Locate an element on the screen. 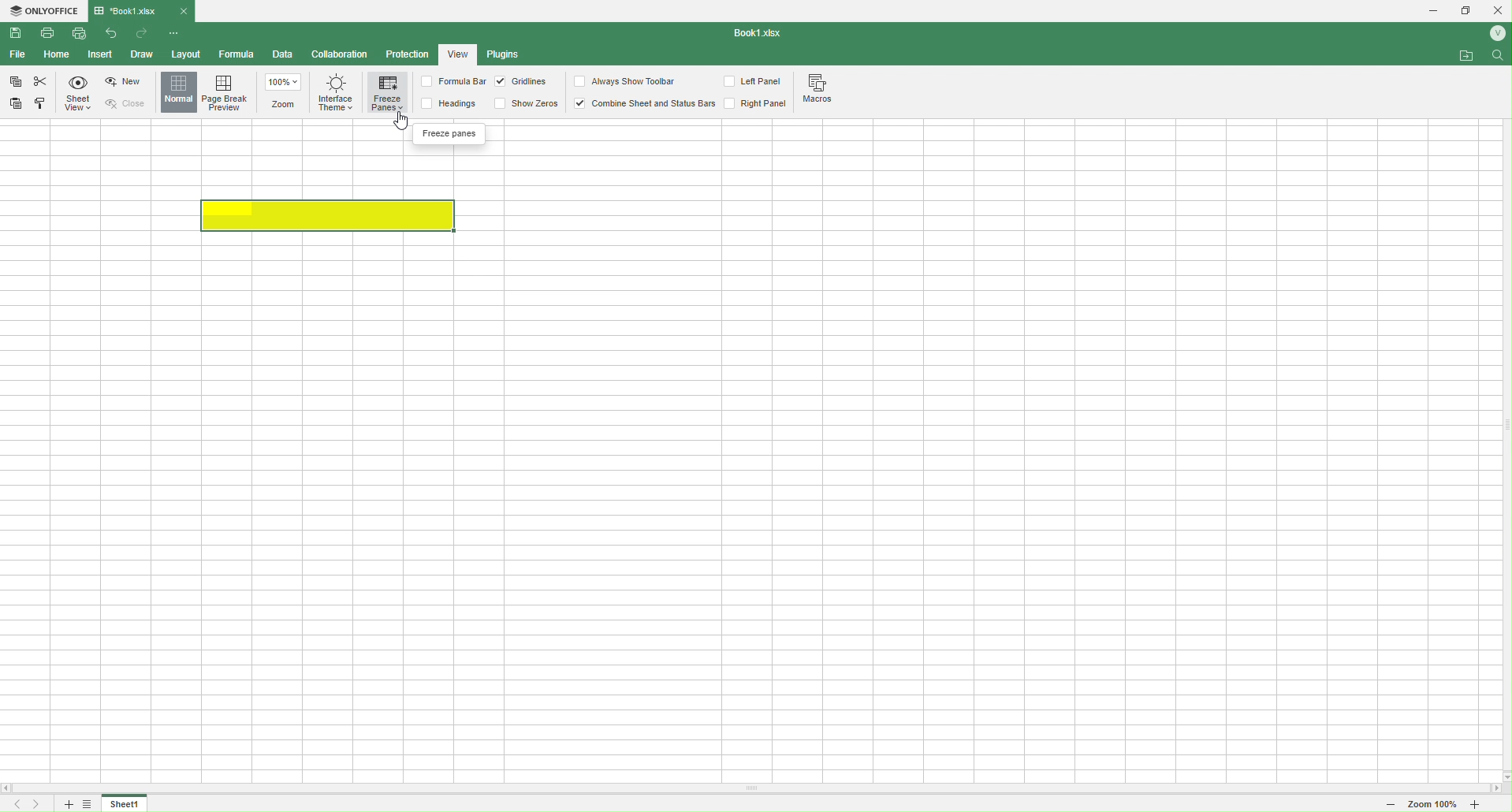  Scroll bar is located at coordinates (756, 789).